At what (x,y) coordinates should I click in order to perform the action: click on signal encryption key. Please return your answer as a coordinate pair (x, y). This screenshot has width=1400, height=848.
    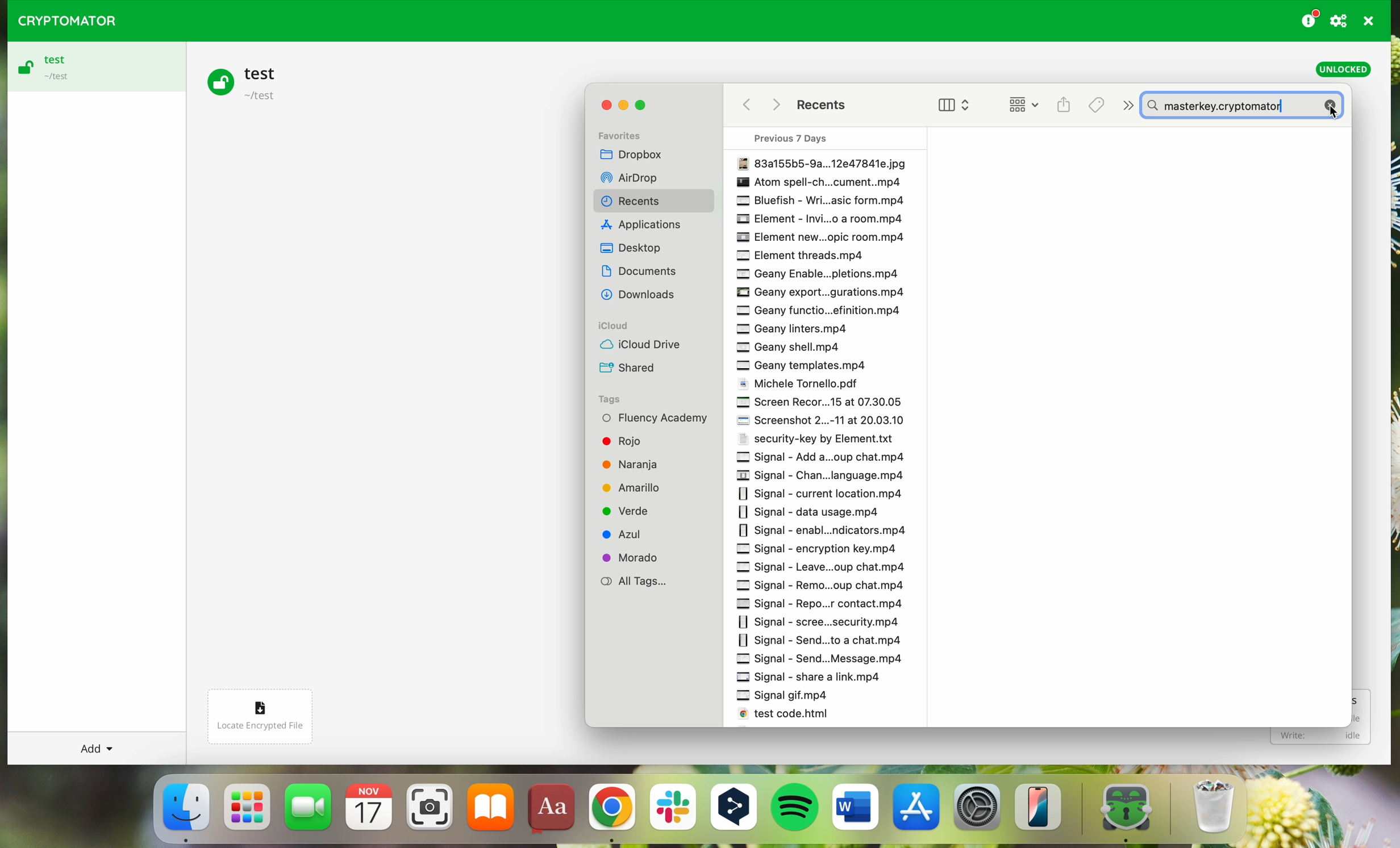
    Looking at the image, I should click on (814, 550).